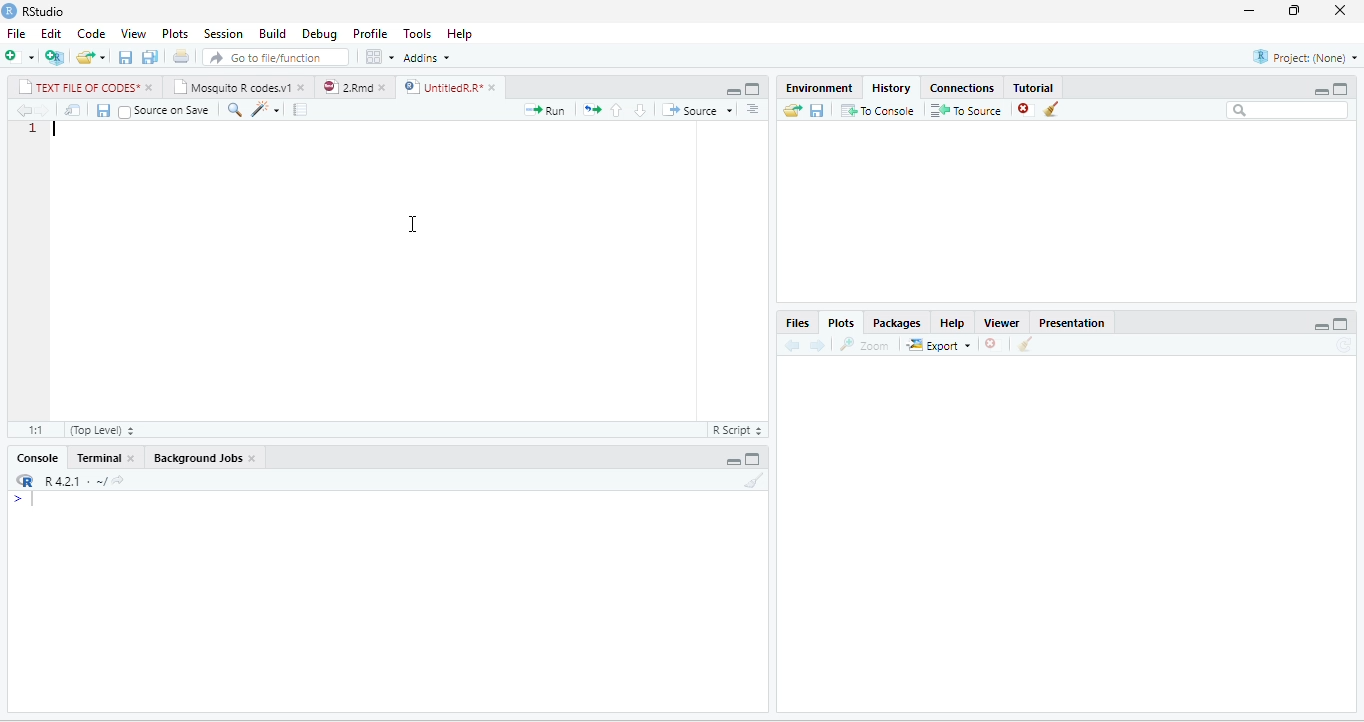 This screenshot has width=1364, height=722. I want to click on Files, so click(799, 324).